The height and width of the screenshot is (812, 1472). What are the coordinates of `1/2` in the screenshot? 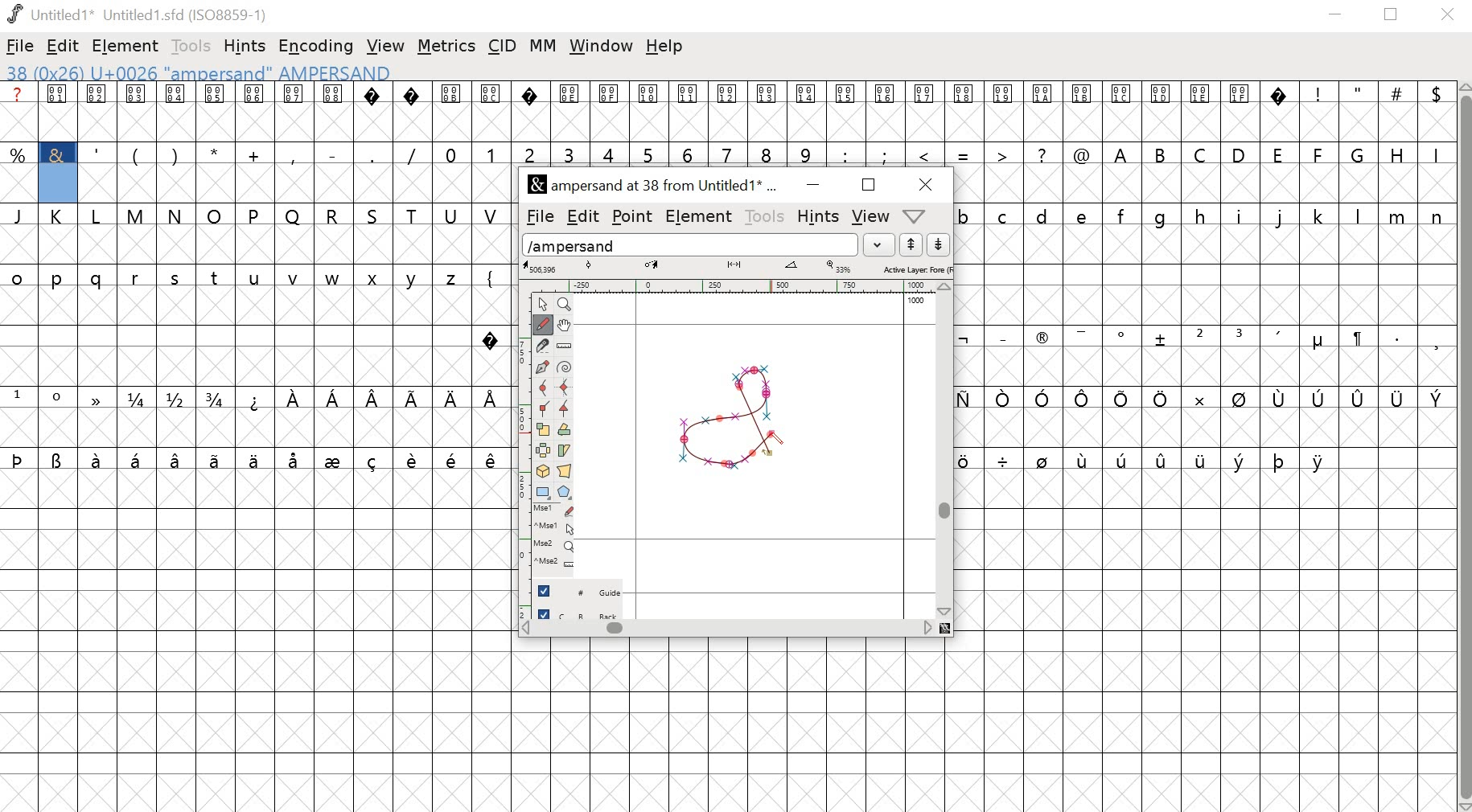 It's located at (178, 399).